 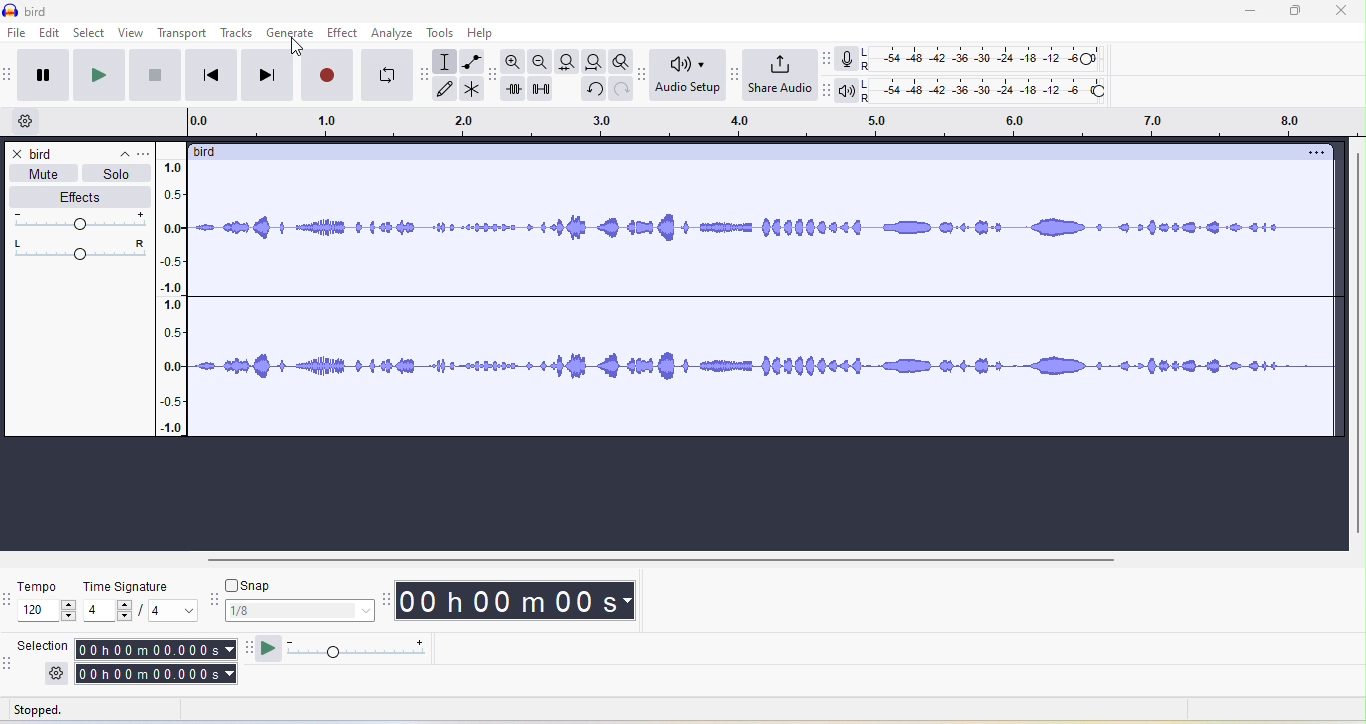 I want to click on stopped, so click(x=55, y=711).